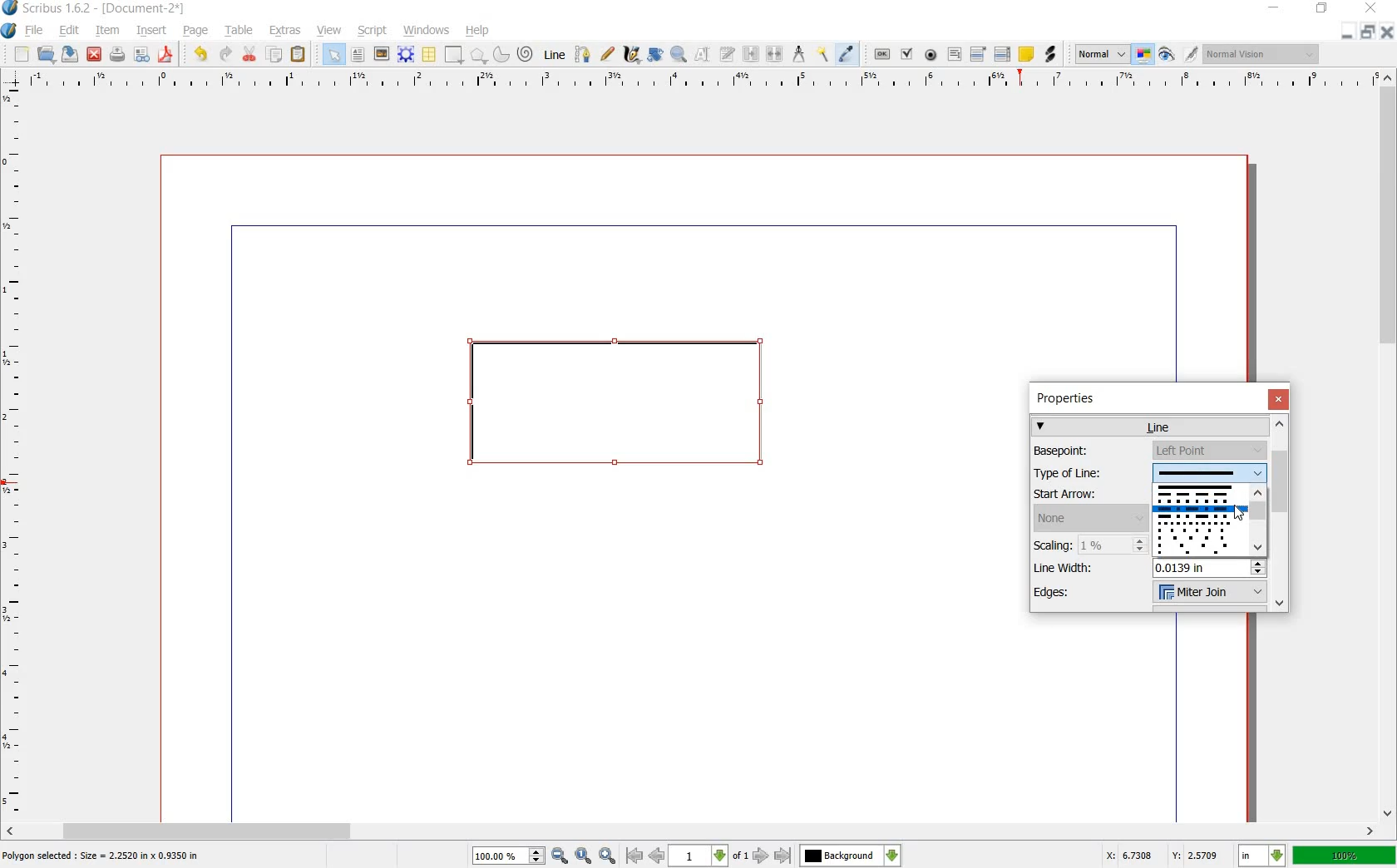  I want to click on select current page, so click(708, 856).